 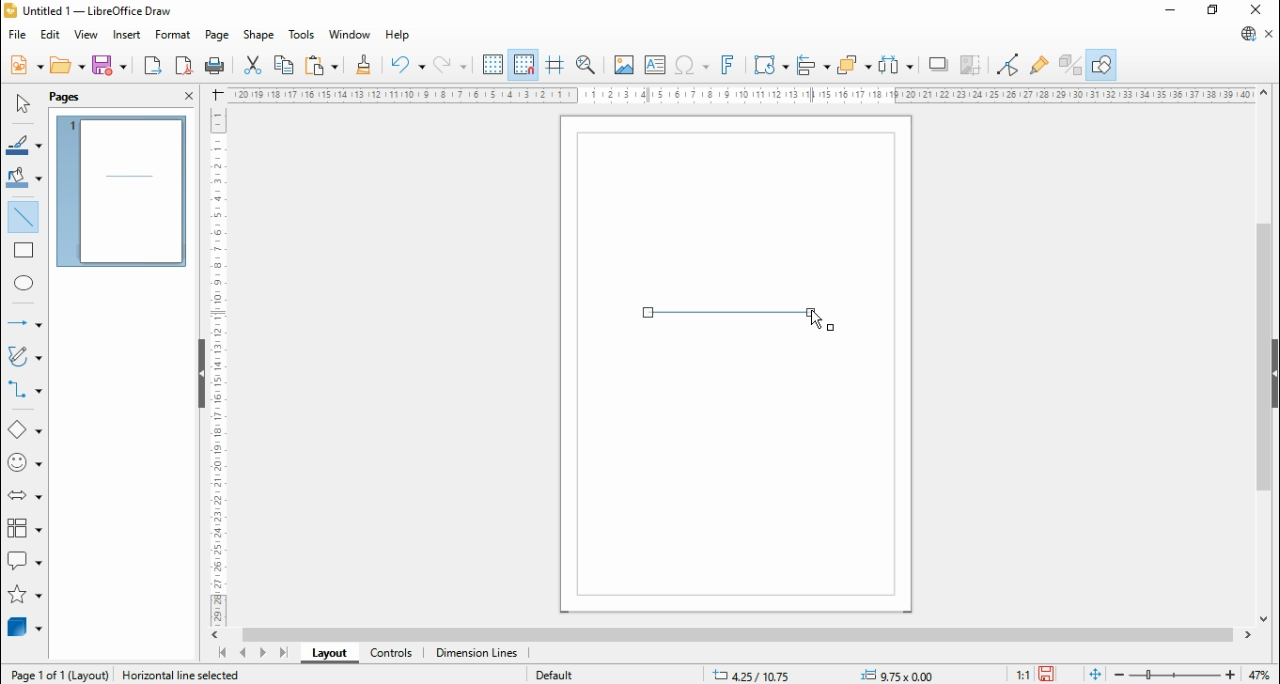 I want to click on default, so click(x=555, y=675).